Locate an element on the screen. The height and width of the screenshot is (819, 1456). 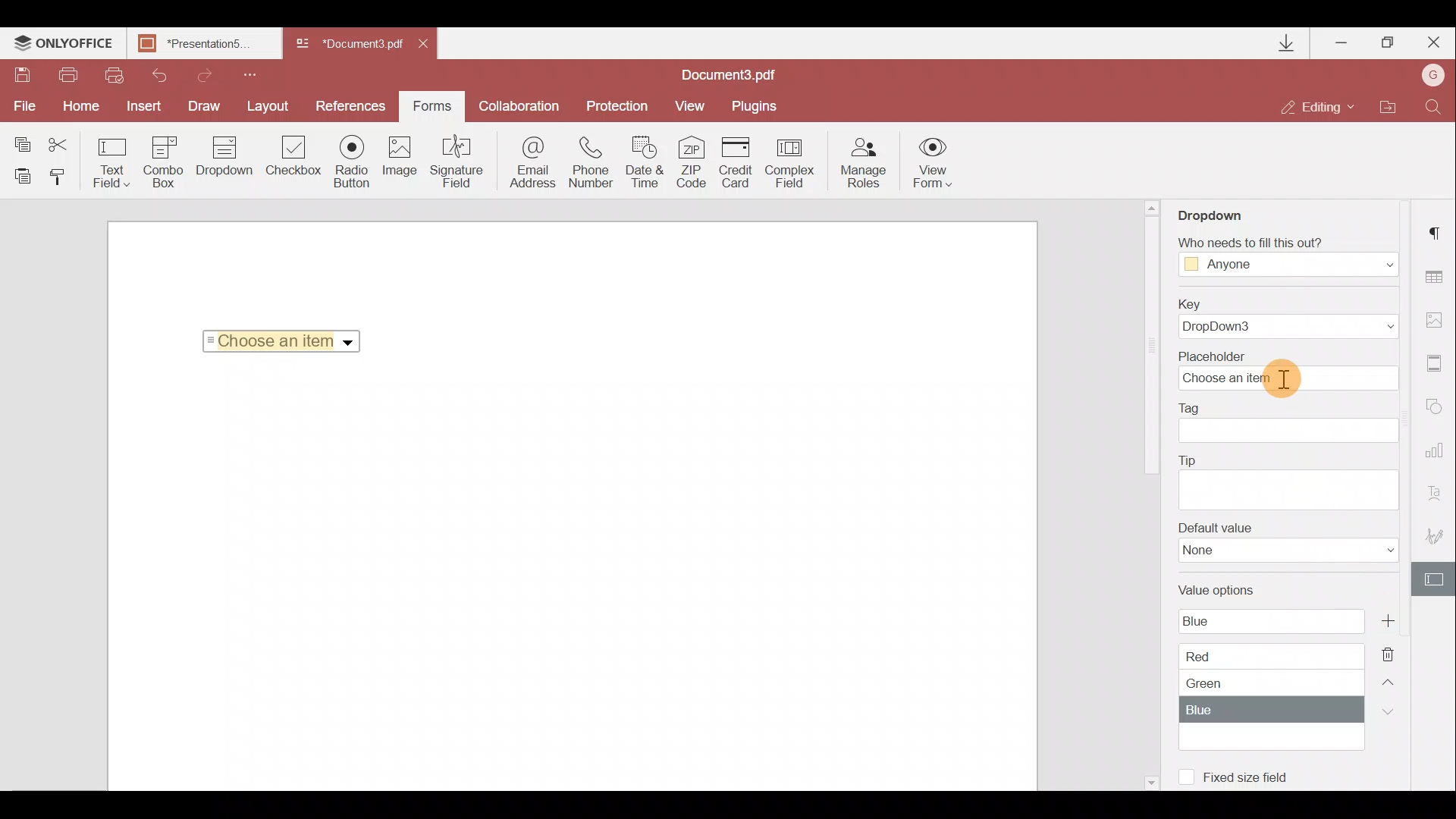
Scroll bar is located at coordinates (1150, 350).